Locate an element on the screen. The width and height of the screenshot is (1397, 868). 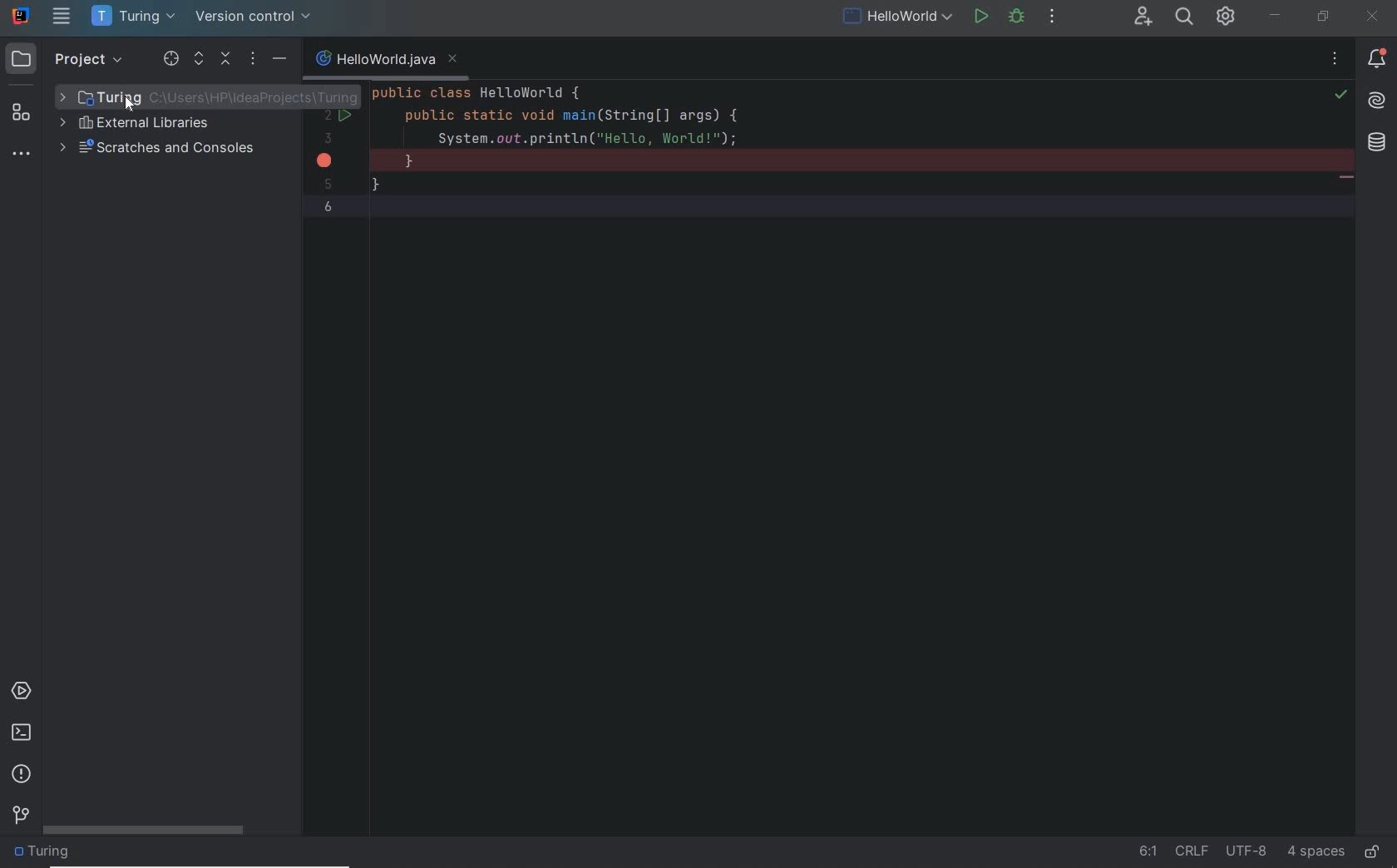
expand selected is located at coordinates (200, 58).